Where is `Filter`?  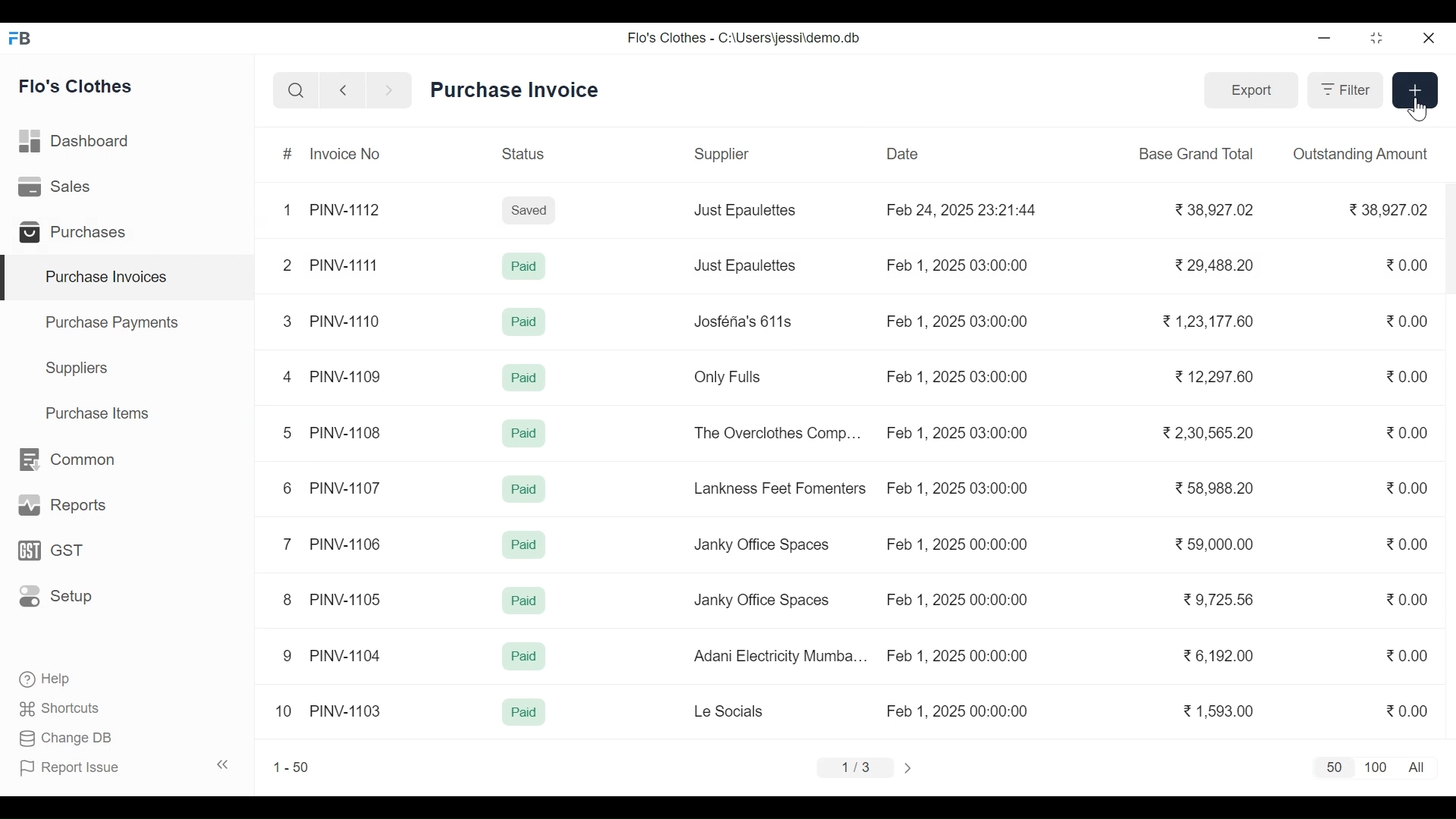 Filter is located at coordinates (1345, 89).